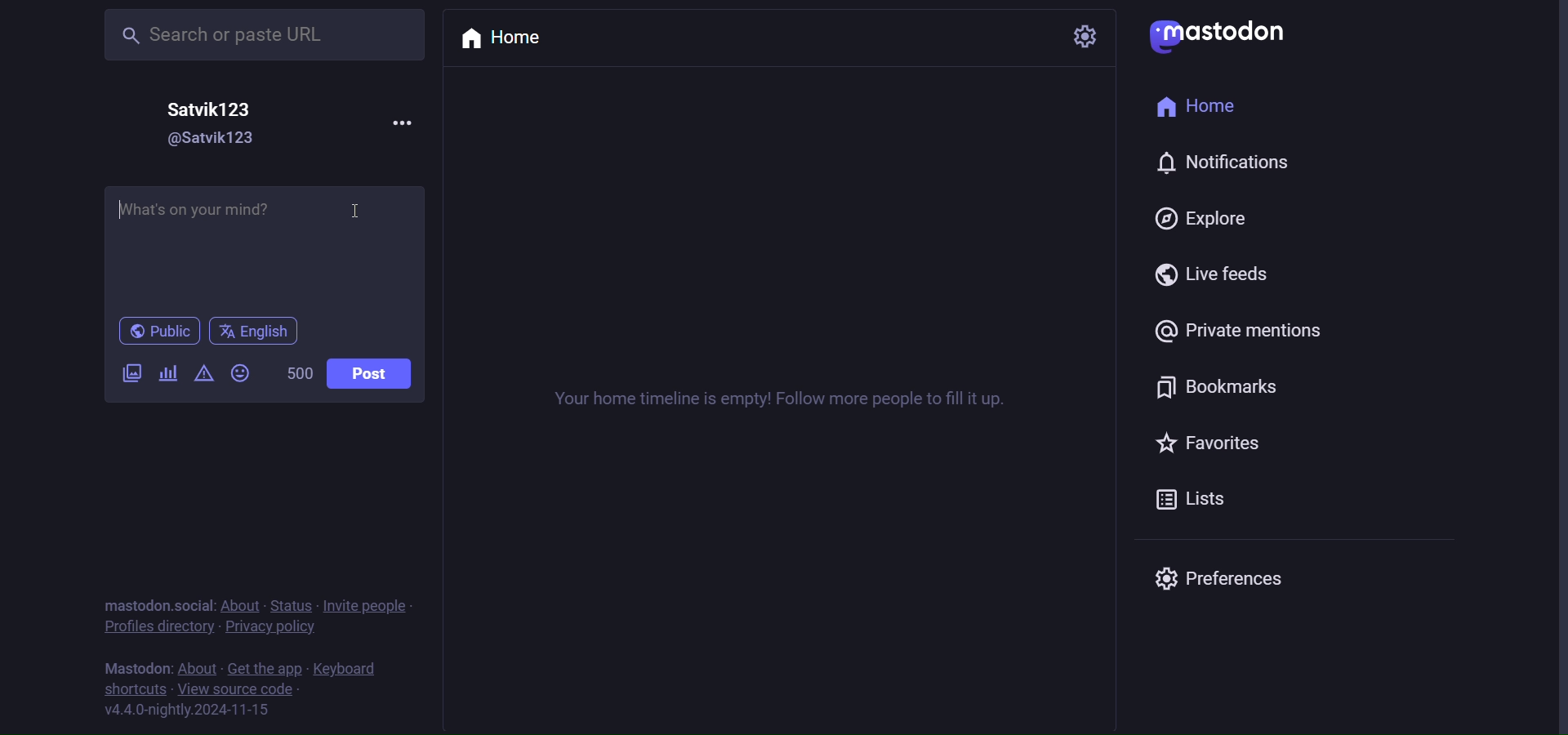  I want to click on type indicator, so click(122, 212).